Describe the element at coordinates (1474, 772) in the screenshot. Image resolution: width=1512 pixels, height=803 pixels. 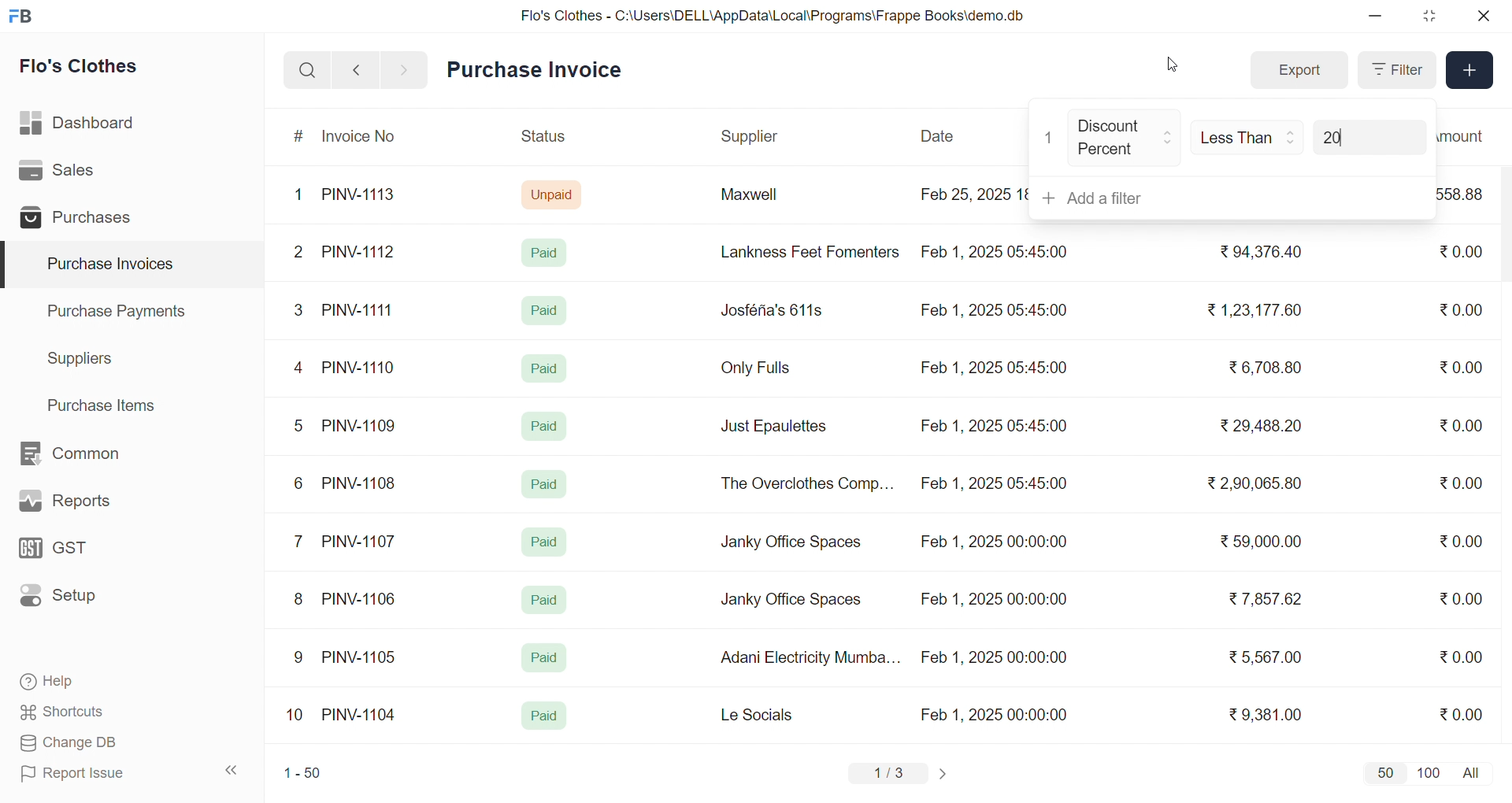
I see `all` at that location.